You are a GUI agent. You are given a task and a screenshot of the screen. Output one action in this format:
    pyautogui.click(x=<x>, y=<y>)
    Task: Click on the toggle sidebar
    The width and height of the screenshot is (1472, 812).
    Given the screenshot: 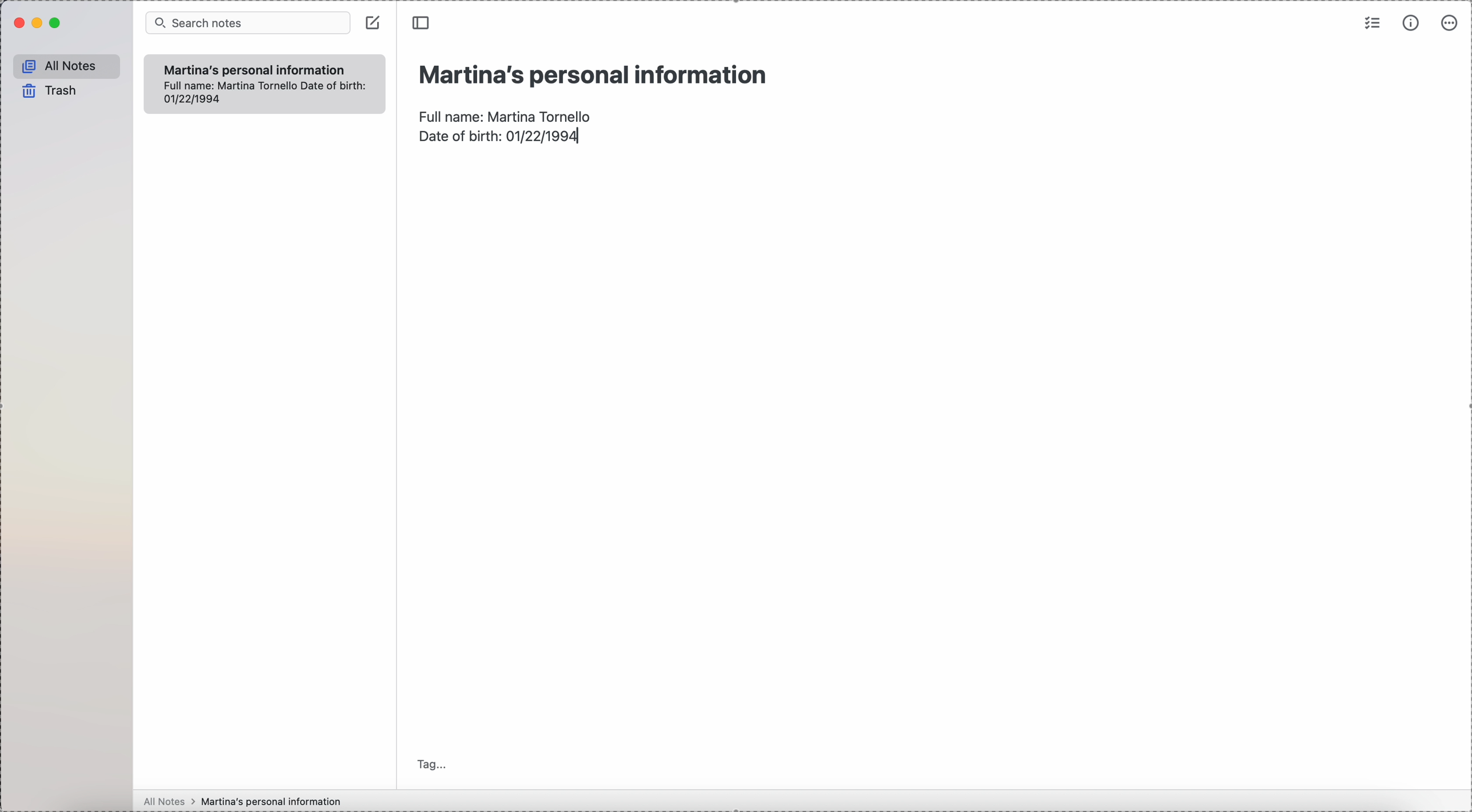 What is the action you would take?
    pyautogui.click(x=419, y=23)
    